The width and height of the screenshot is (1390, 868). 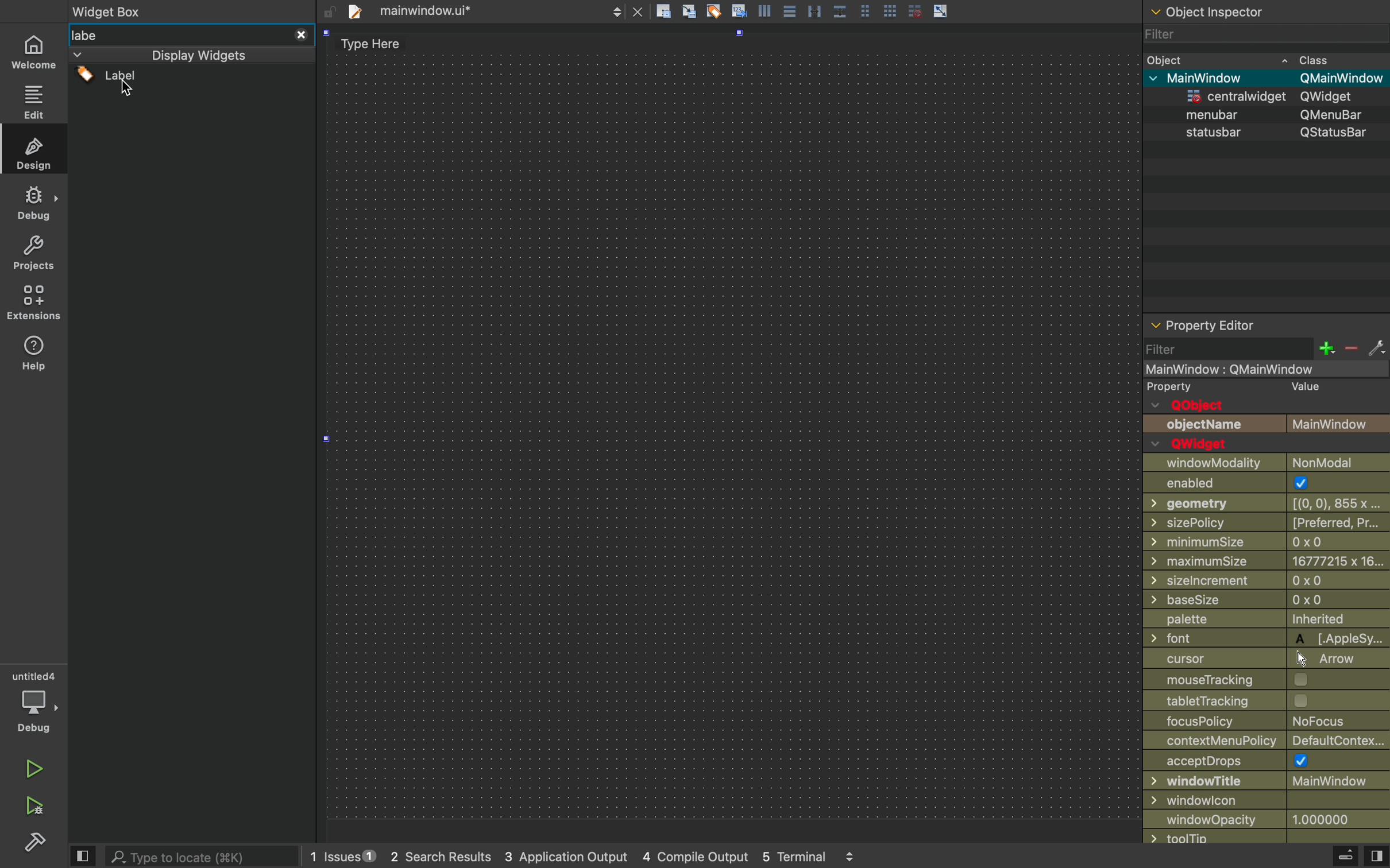 What do you see at coordinates (841, 9) in the screenshot?
I see `Box` at bounding box center [841, 9].